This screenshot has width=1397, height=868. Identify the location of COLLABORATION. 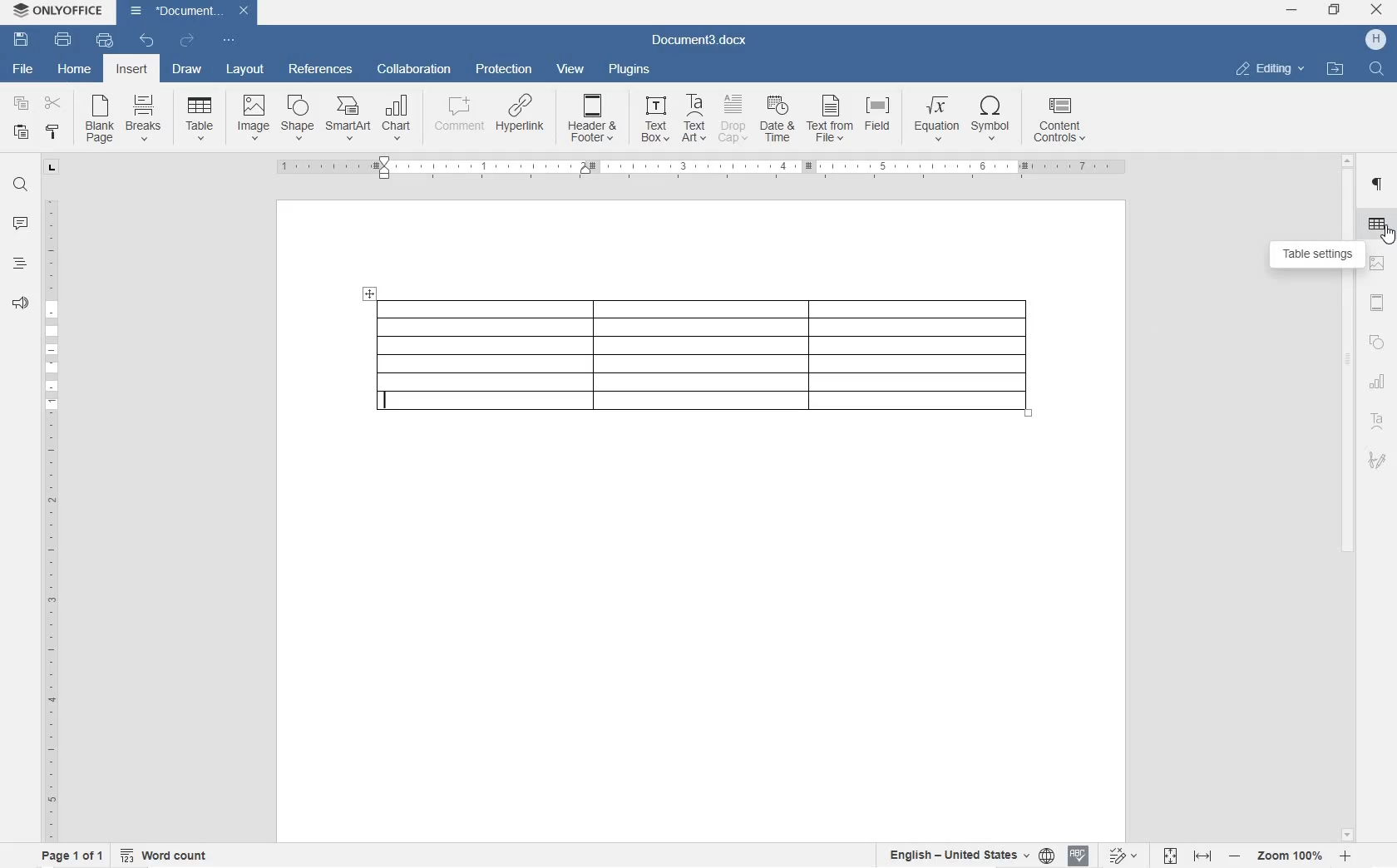
(415, 70).